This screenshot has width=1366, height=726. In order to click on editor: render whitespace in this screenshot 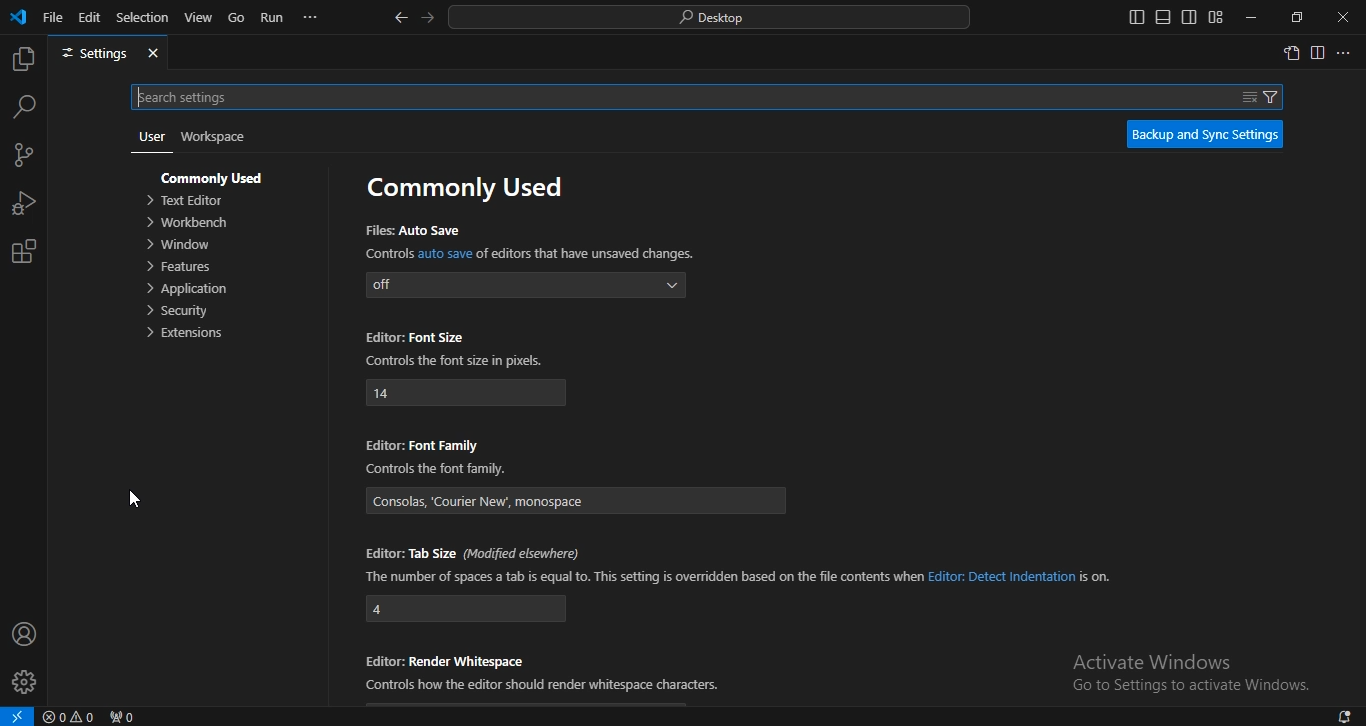, I will do `click(446, 659)`.